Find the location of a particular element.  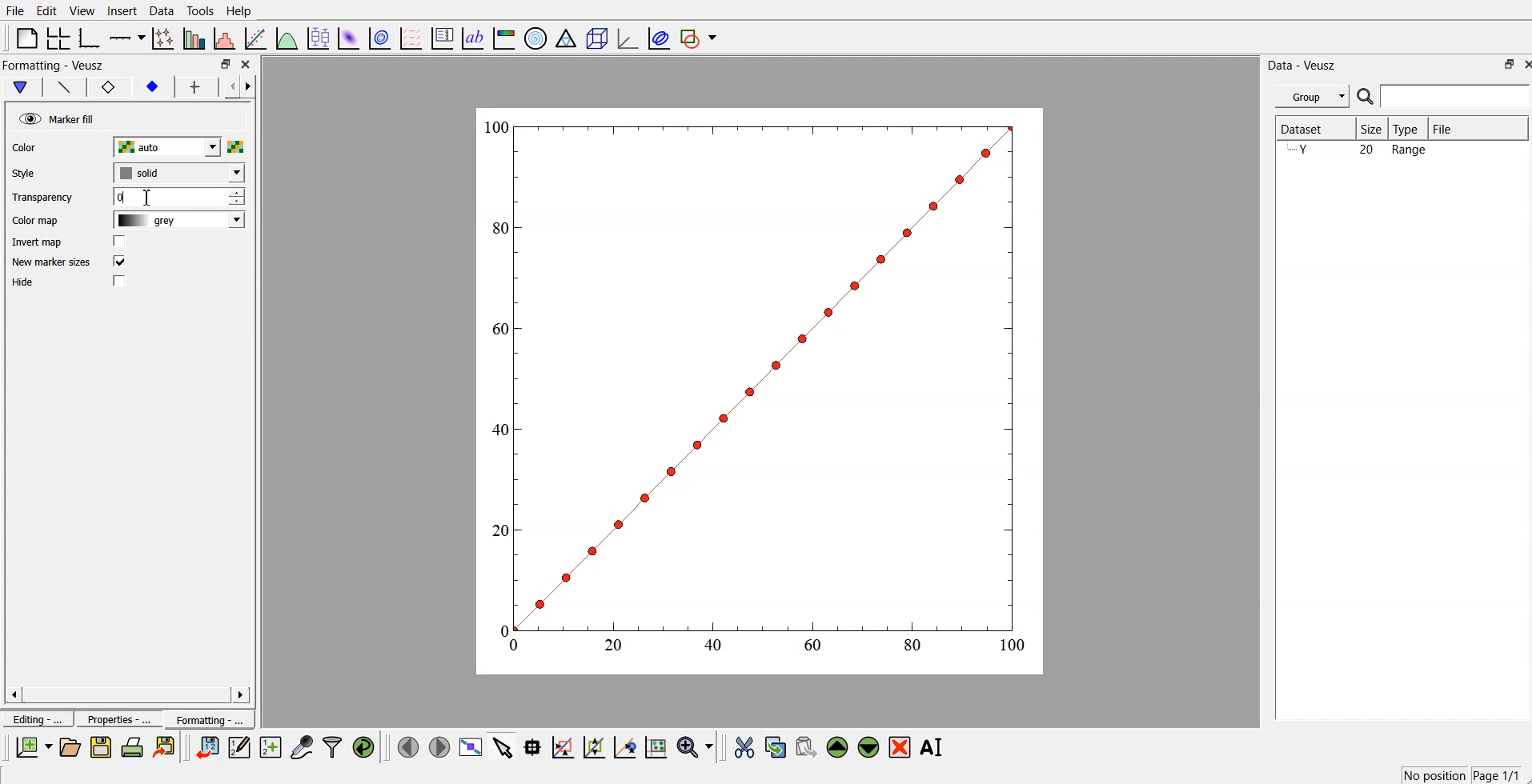

Tools is located at coordinates (200, 11).